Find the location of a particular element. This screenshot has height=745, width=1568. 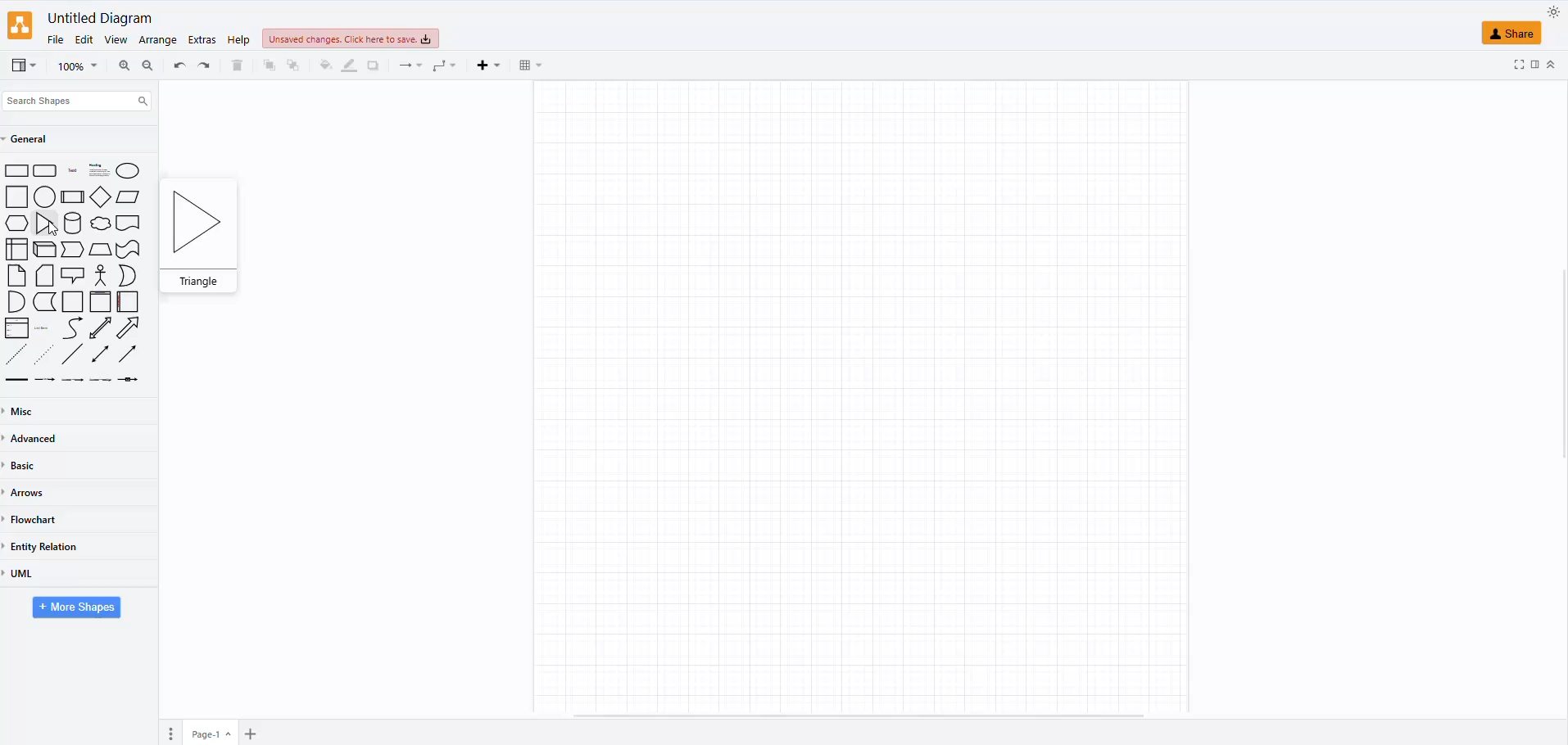

Labelled Arrow is located at coordinates (72, 380).